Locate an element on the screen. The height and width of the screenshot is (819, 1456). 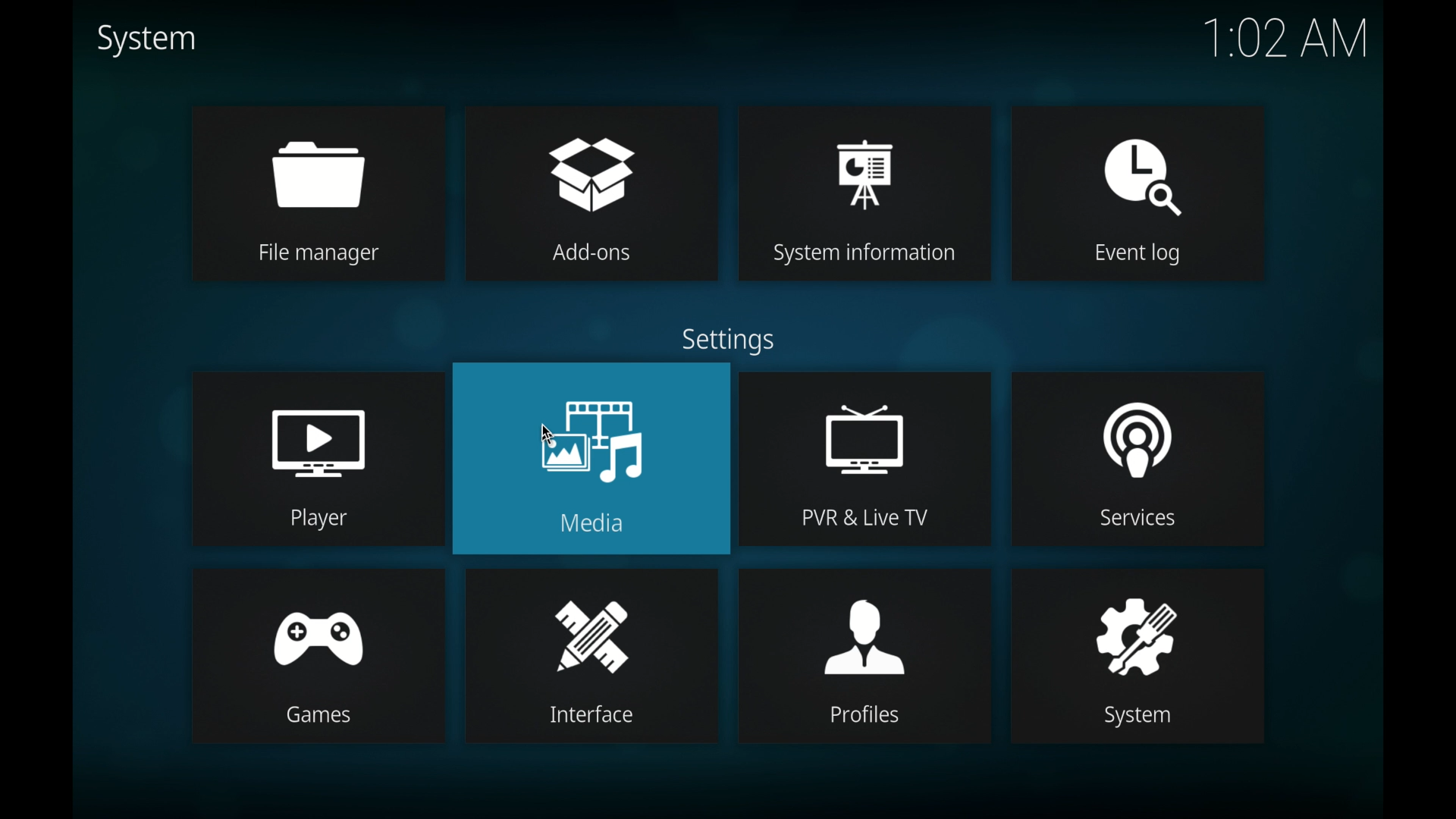
cursor is located at coordinates (557, 438).